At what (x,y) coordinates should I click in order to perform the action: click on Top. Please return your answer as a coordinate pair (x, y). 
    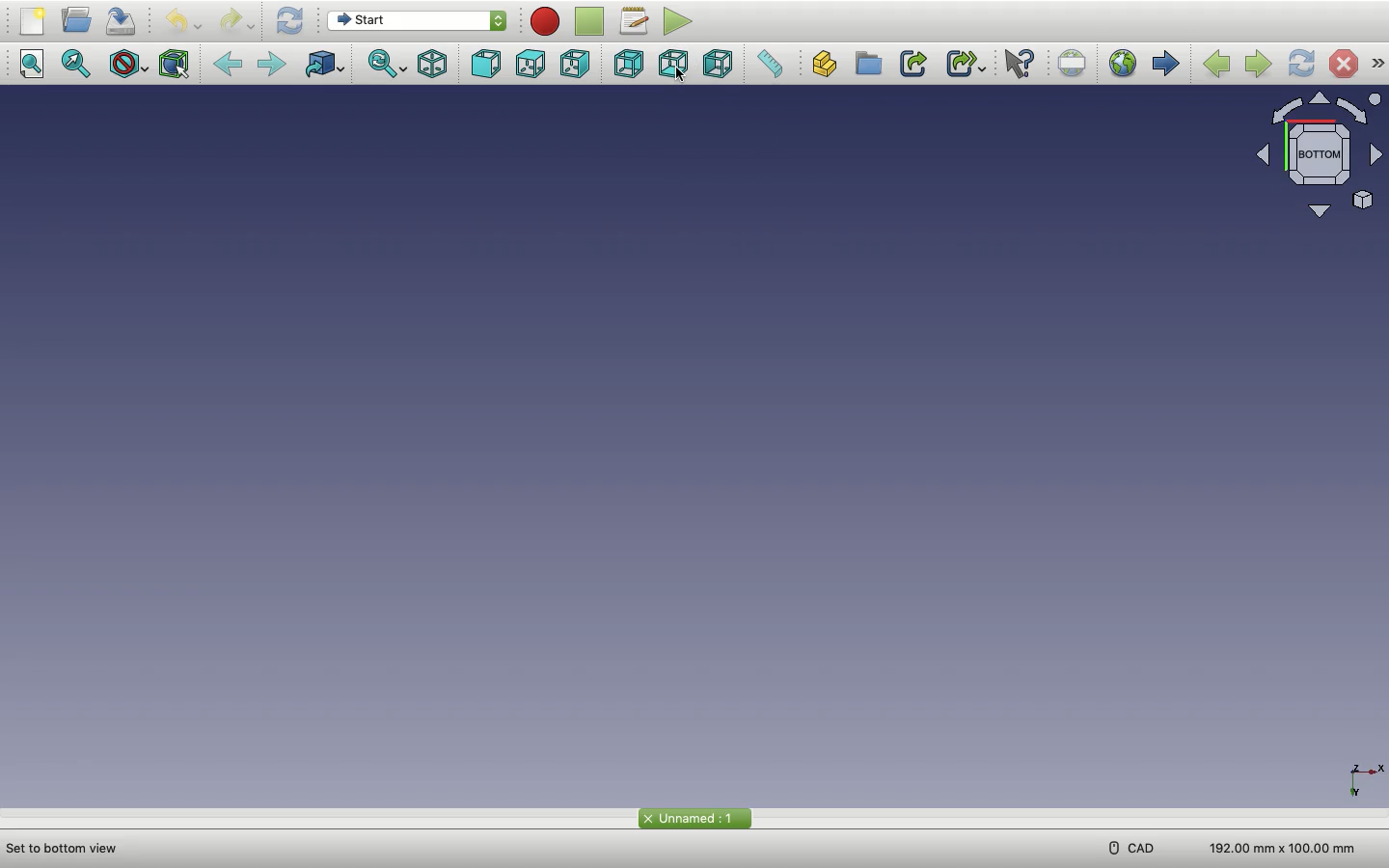
    Looking at the image, I should click on (533, 65).